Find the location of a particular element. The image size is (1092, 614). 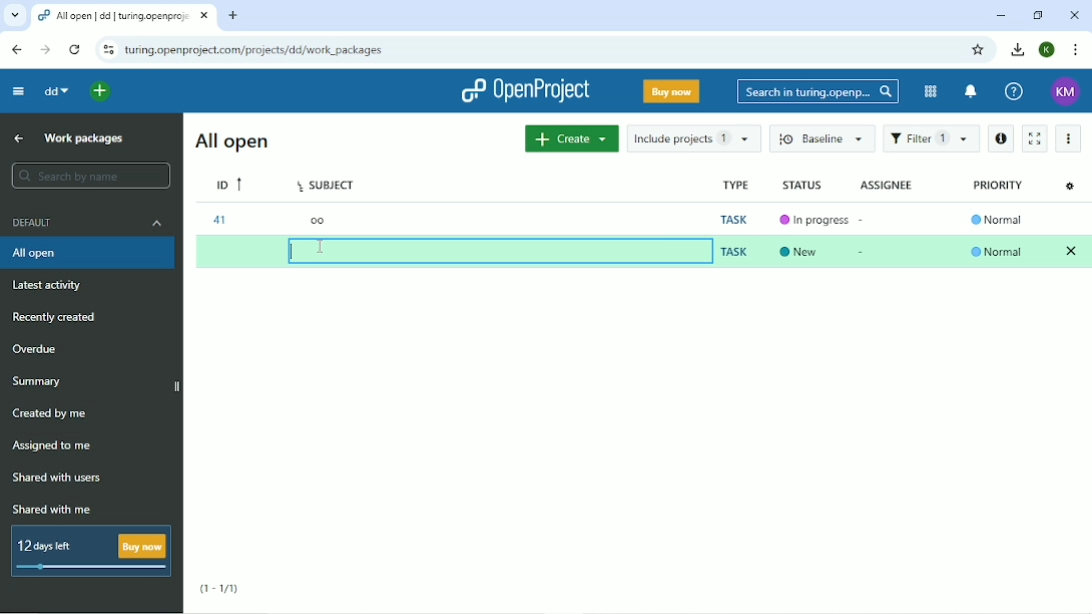

Open details view is located at coordinates (1001, 138).